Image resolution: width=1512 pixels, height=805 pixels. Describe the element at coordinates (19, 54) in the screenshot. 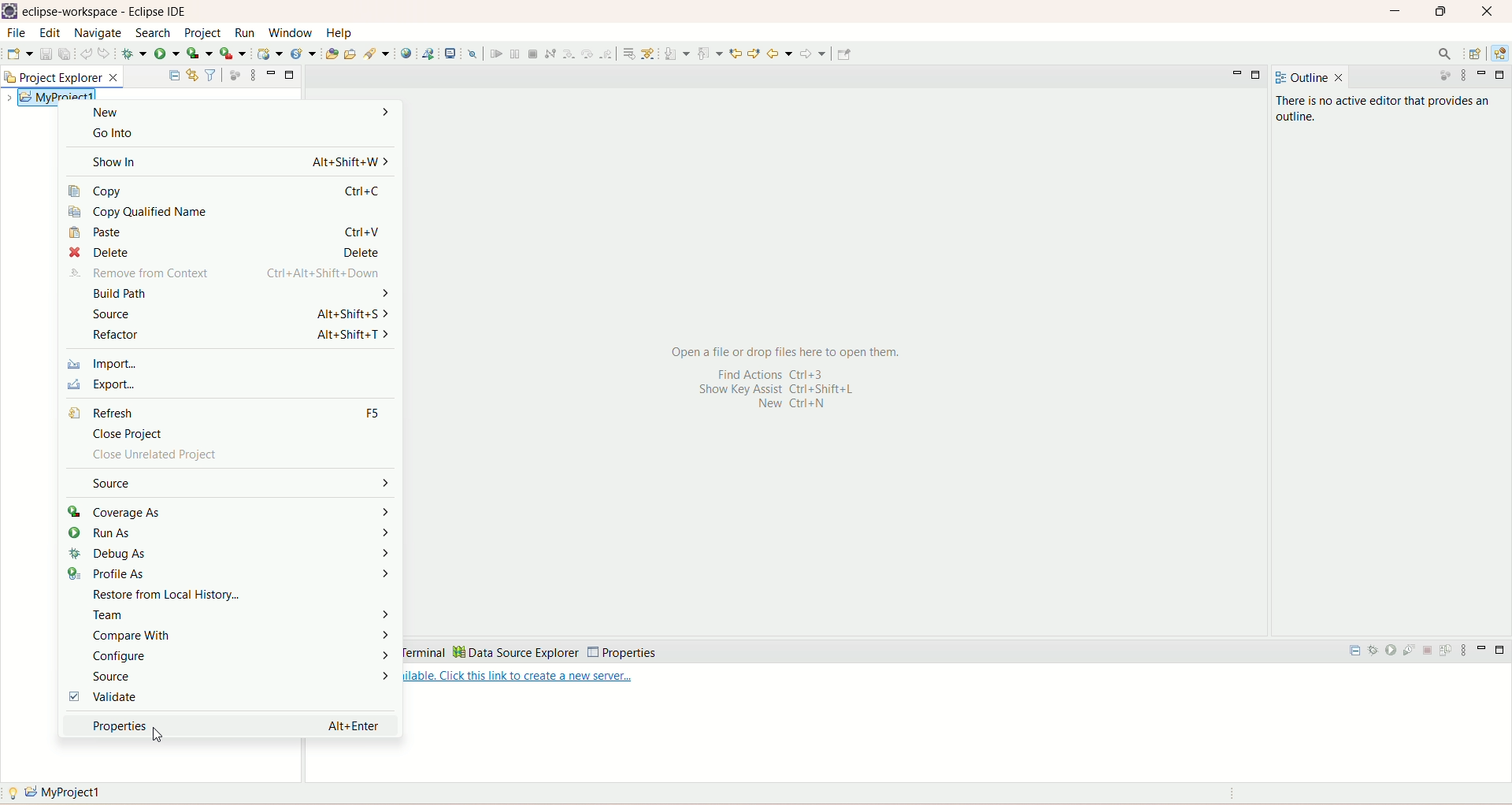

I see `save` at that location.